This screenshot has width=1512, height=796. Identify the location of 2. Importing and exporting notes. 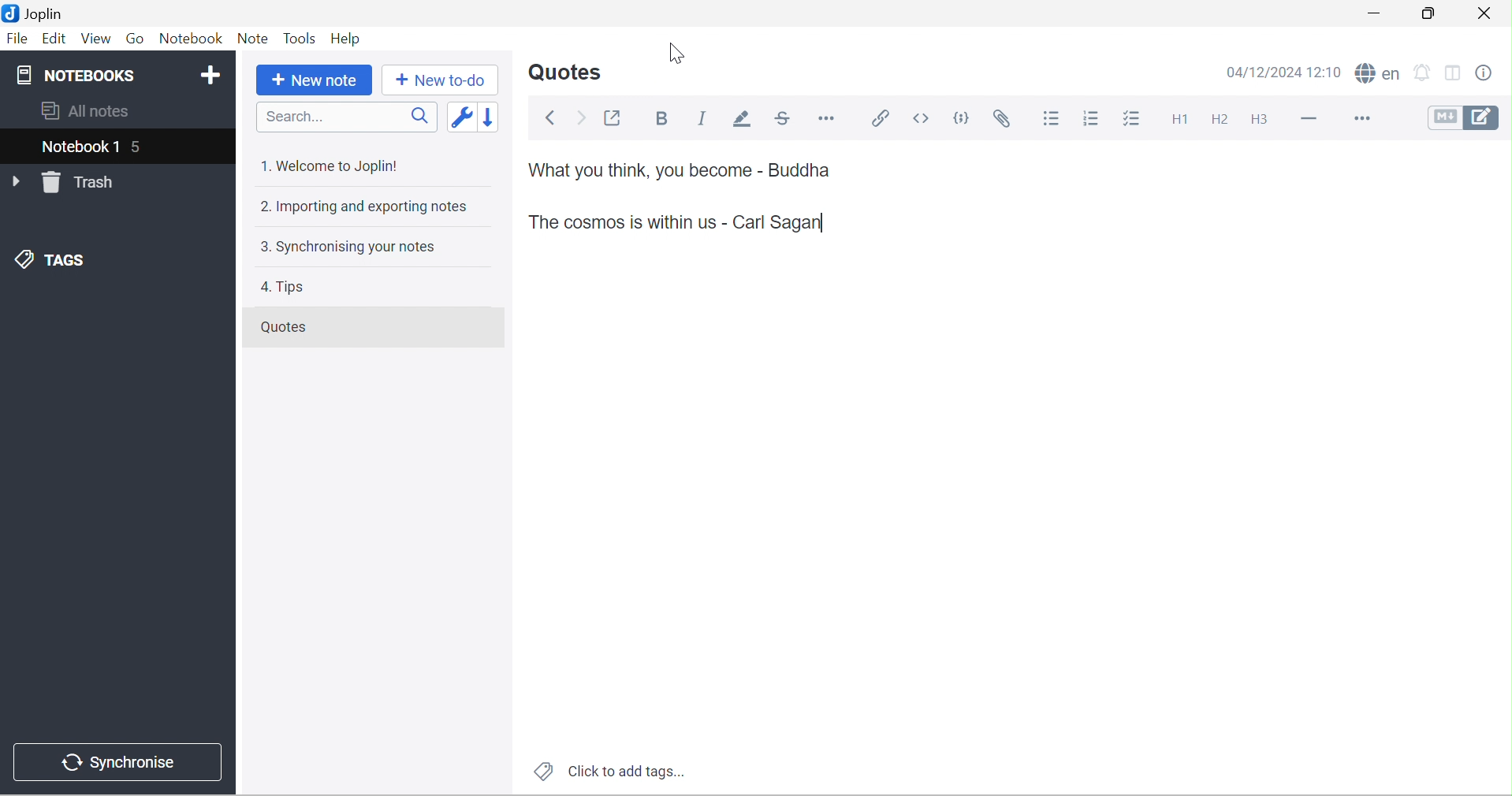
(367, 205).